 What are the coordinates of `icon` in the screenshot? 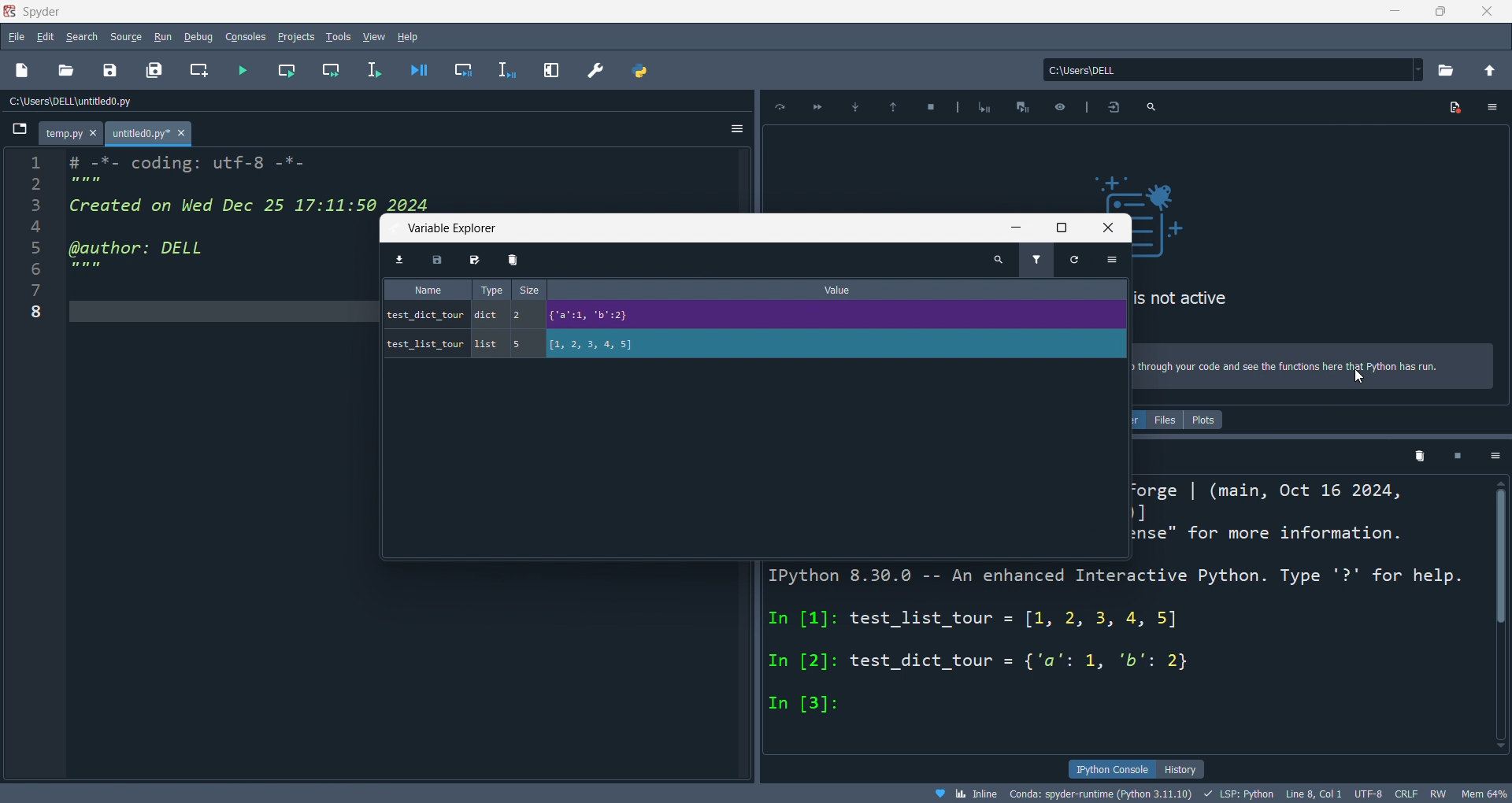 It's located at (1021, 109).